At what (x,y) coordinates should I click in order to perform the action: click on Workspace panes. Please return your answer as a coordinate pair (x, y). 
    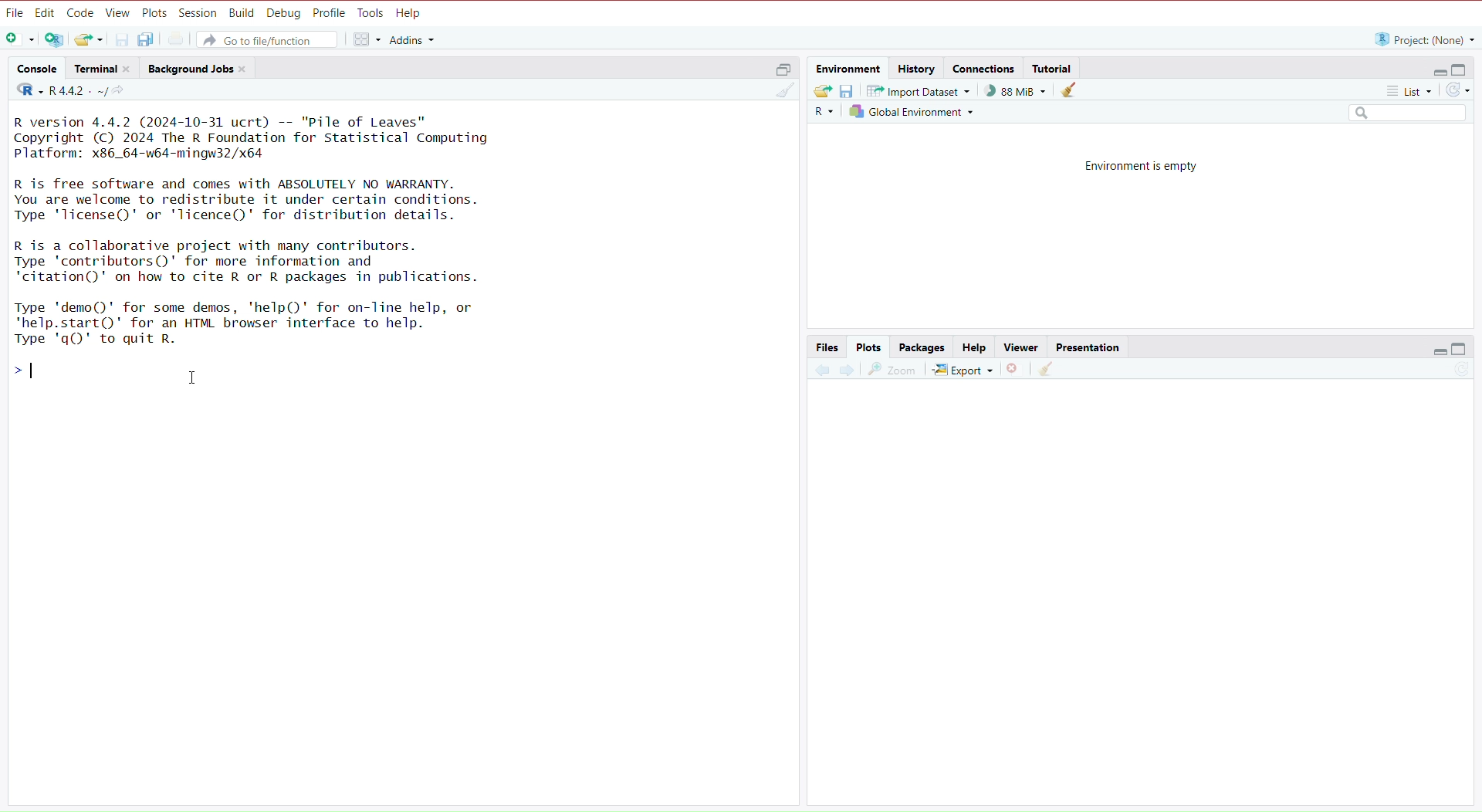
    Looking at the image, I should click on (365, 41).